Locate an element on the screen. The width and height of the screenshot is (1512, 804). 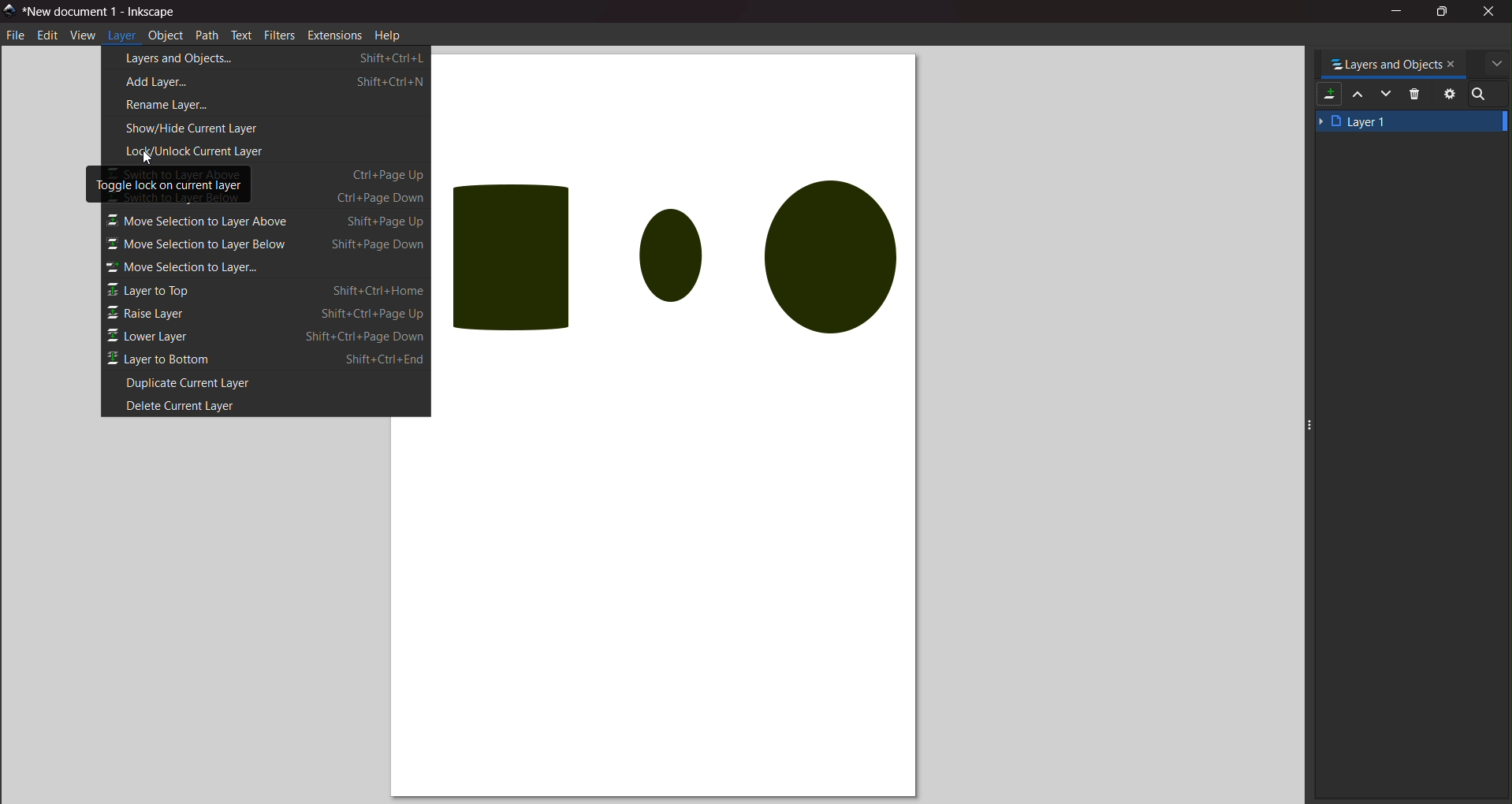
move selection to layer is located at coordinates (188, 268).